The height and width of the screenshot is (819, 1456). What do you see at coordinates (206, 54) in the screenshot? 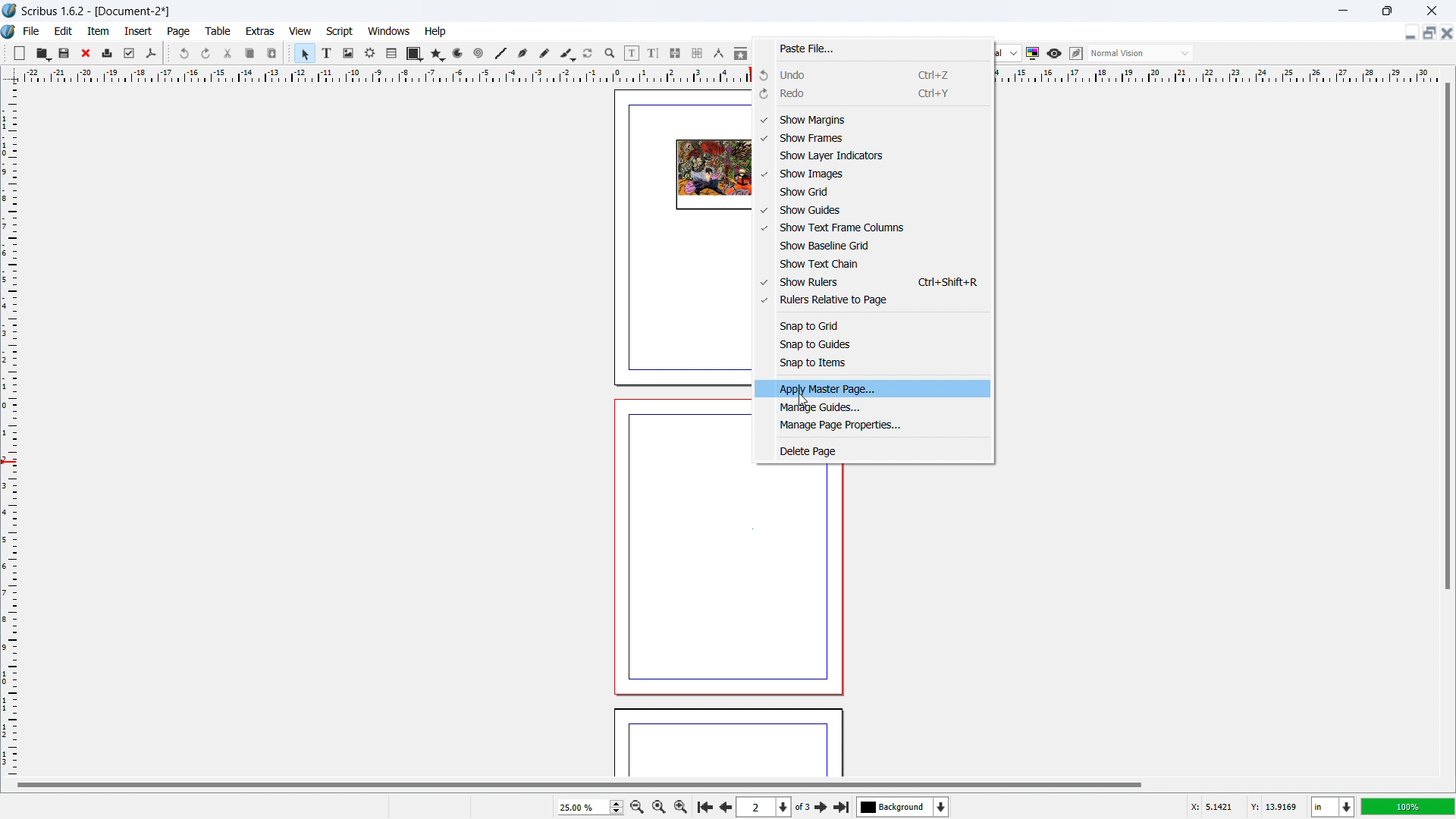
I see `redo` at bounding box center [206, 54].